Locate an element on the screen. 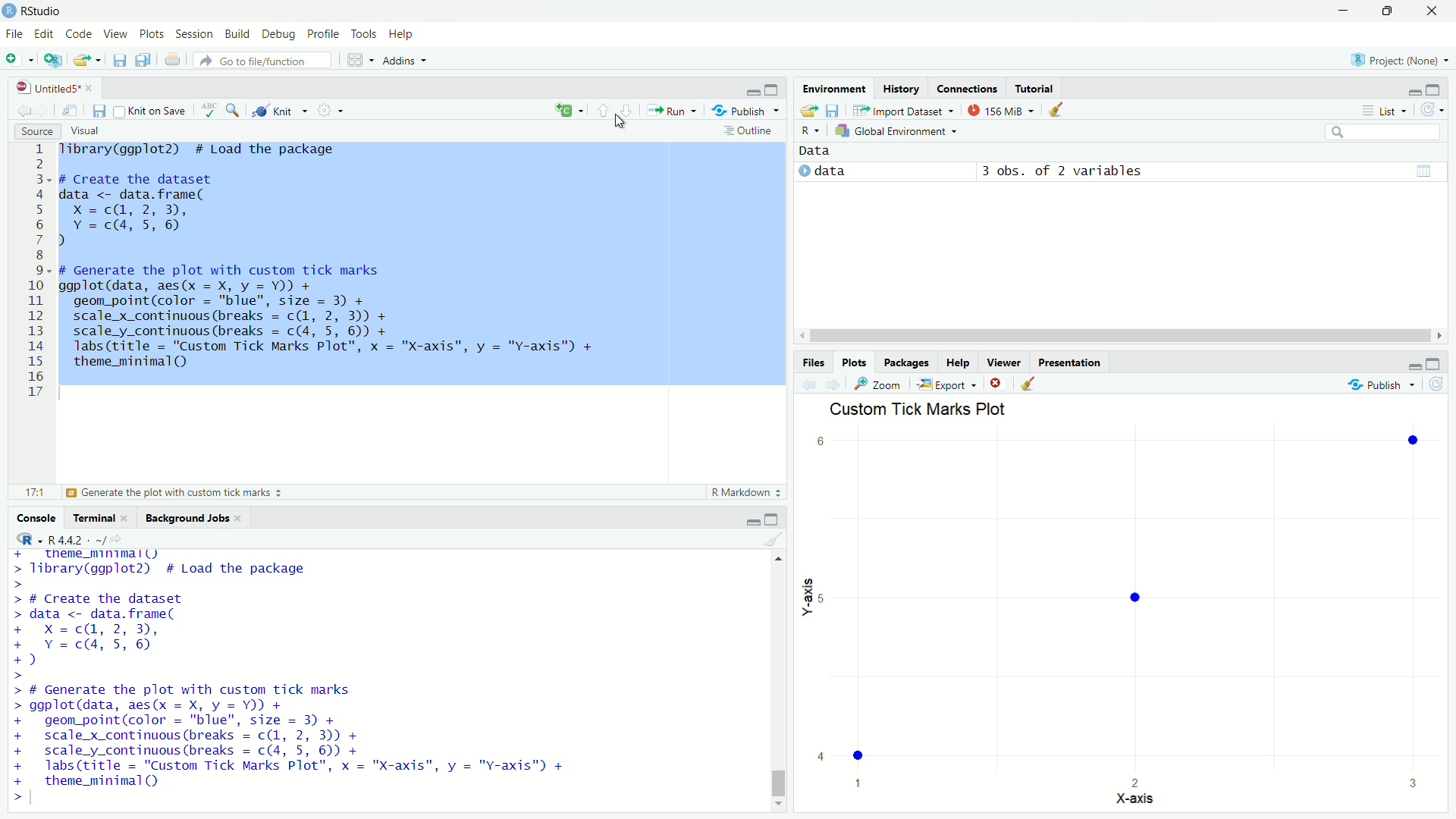 The image size is (1456, 819). print the current file is located at coordinates (168, 60).